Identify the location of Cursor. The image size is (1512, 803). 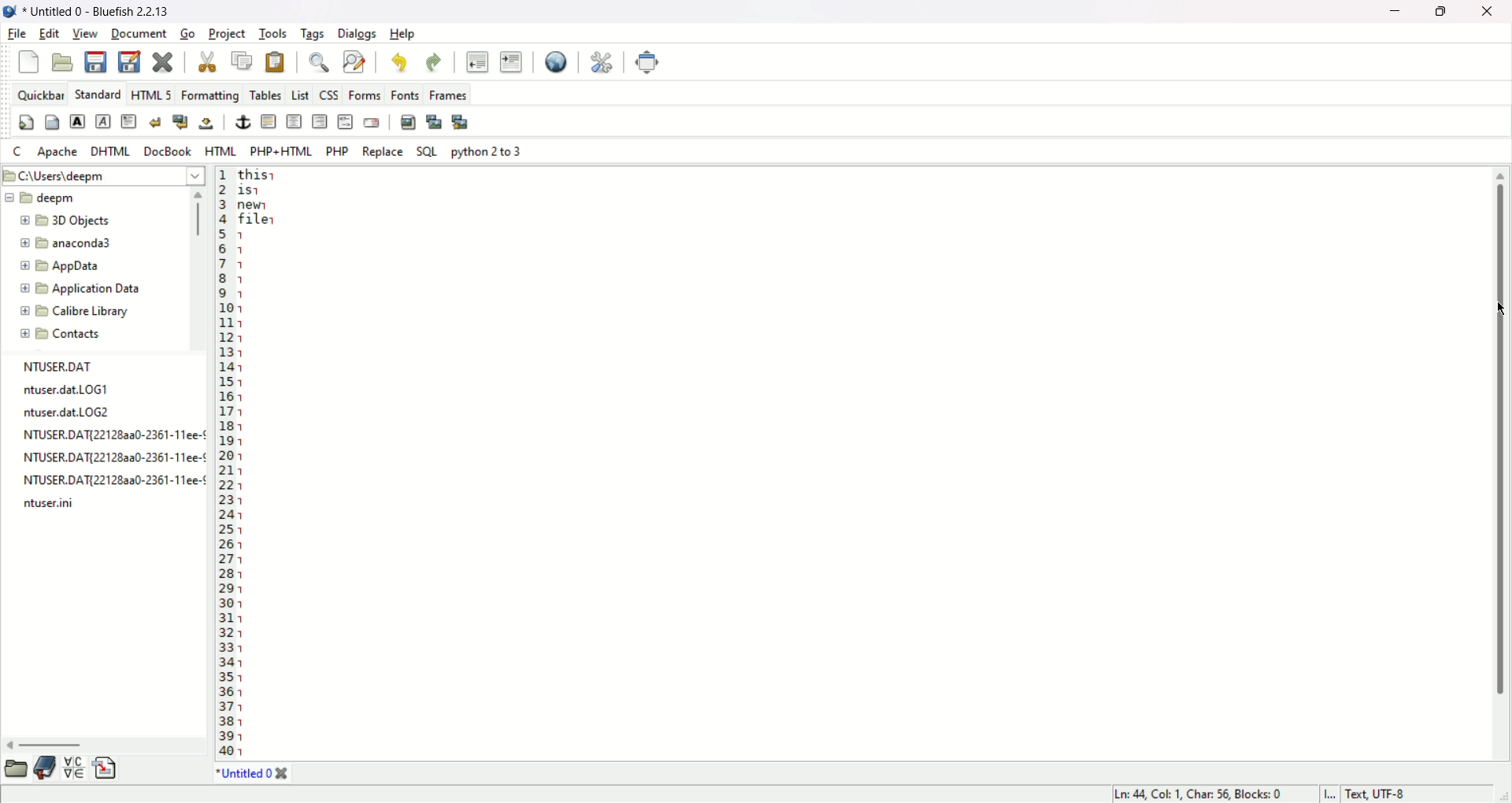
(1495, 309).